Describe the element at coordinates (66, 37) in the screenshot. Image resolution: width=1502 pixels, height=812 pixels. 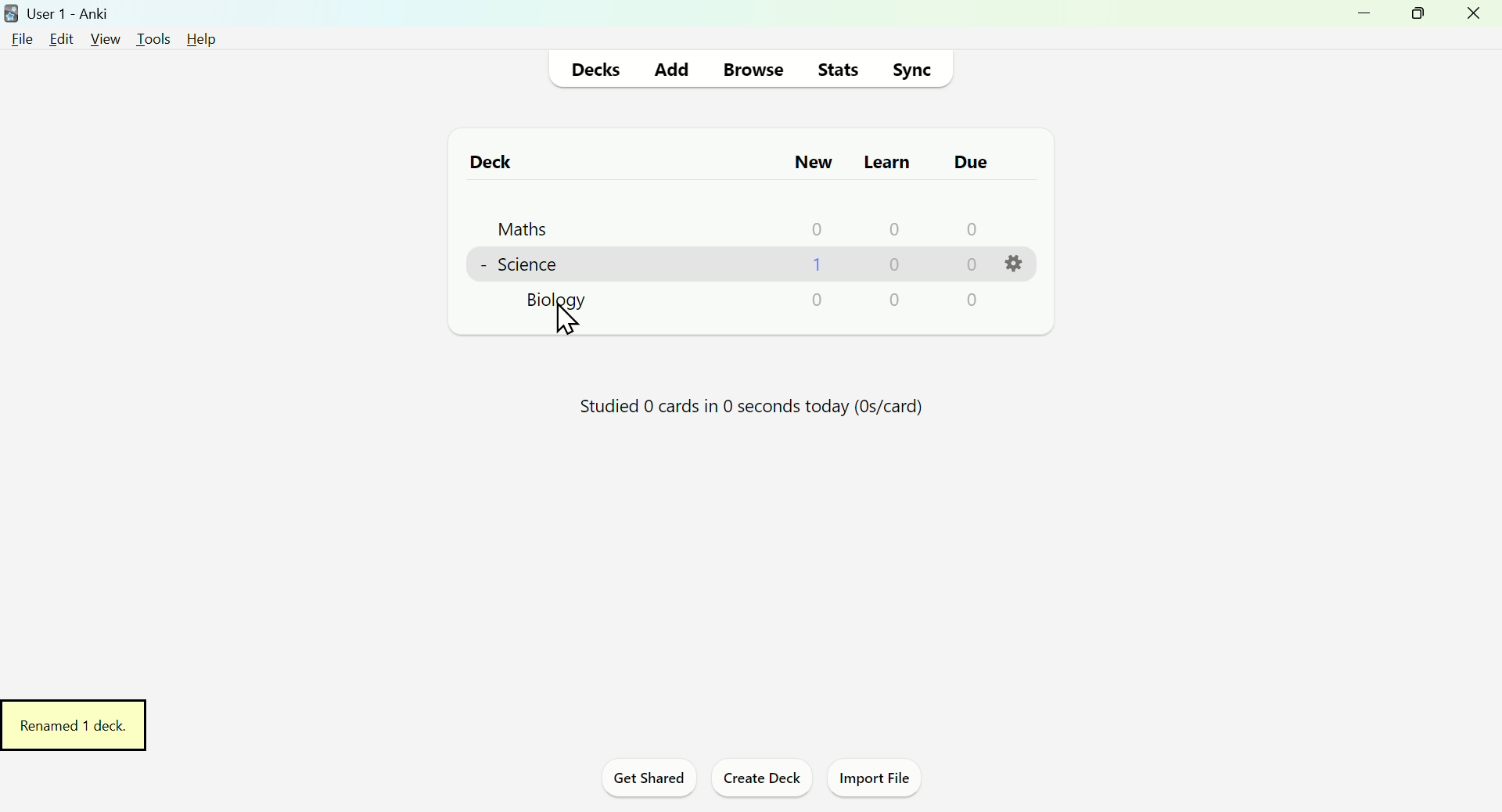
I see `Edit` at that location.